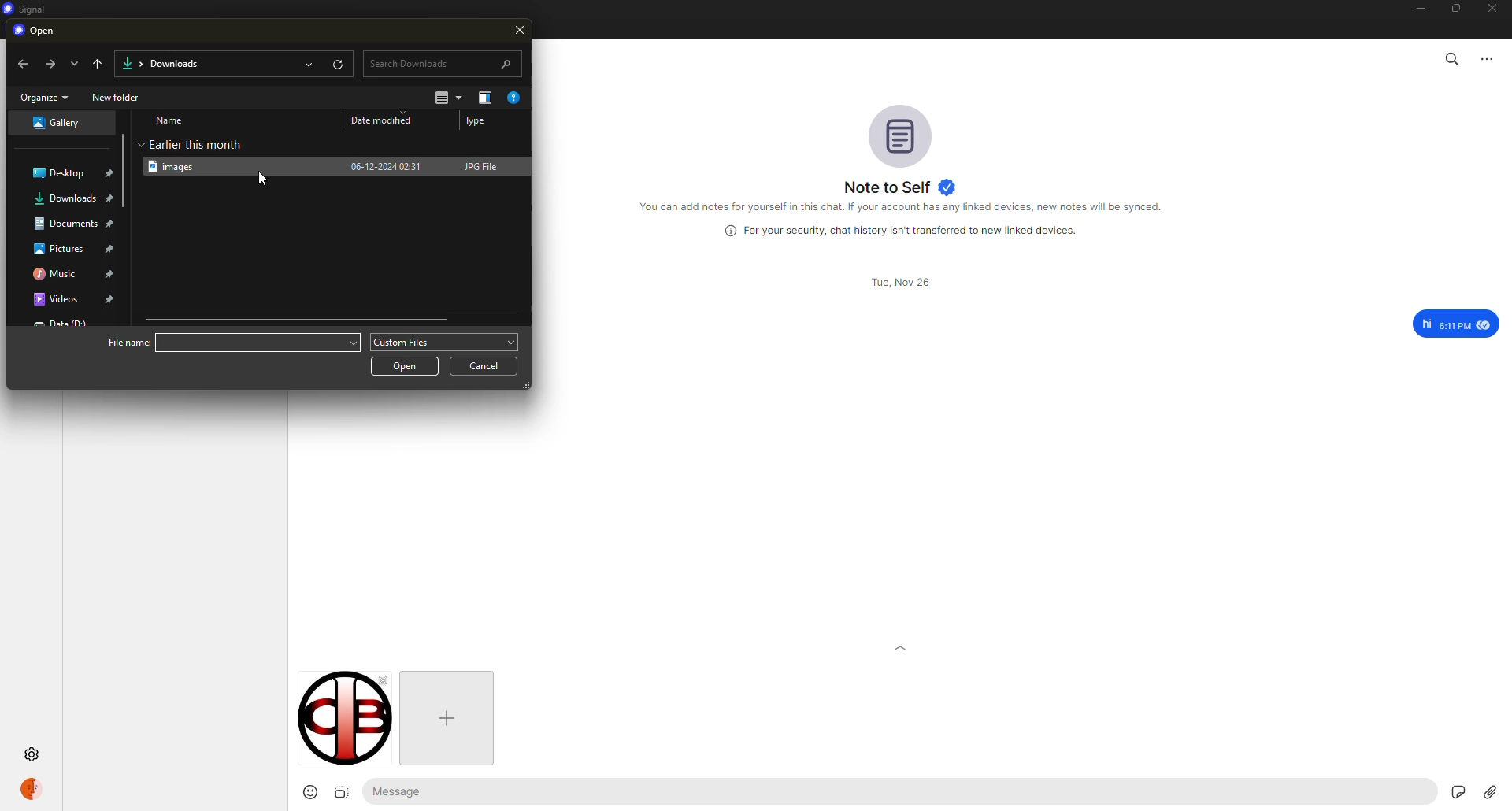  Describe the element at coordinates (406, 365) in the screenshot. I see `open` at that location.